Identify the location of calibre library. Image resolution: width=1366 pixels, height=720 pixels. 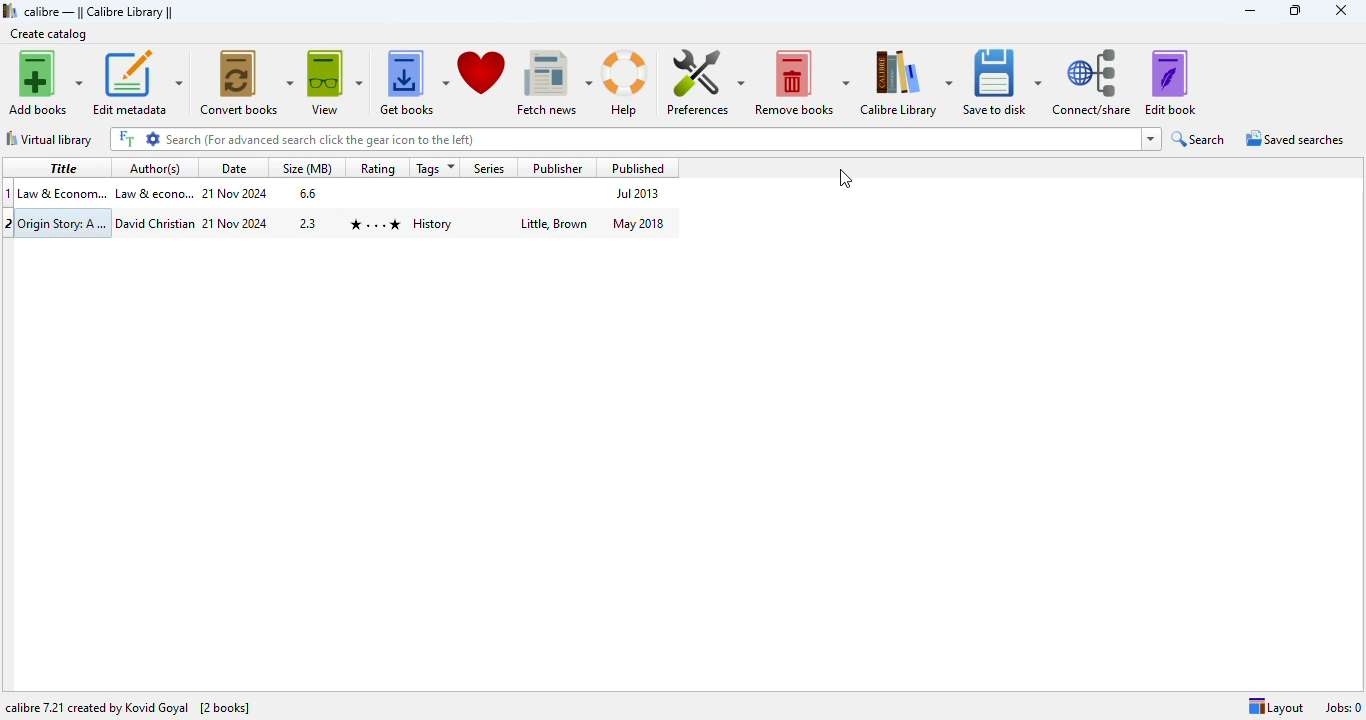
(100, 12).